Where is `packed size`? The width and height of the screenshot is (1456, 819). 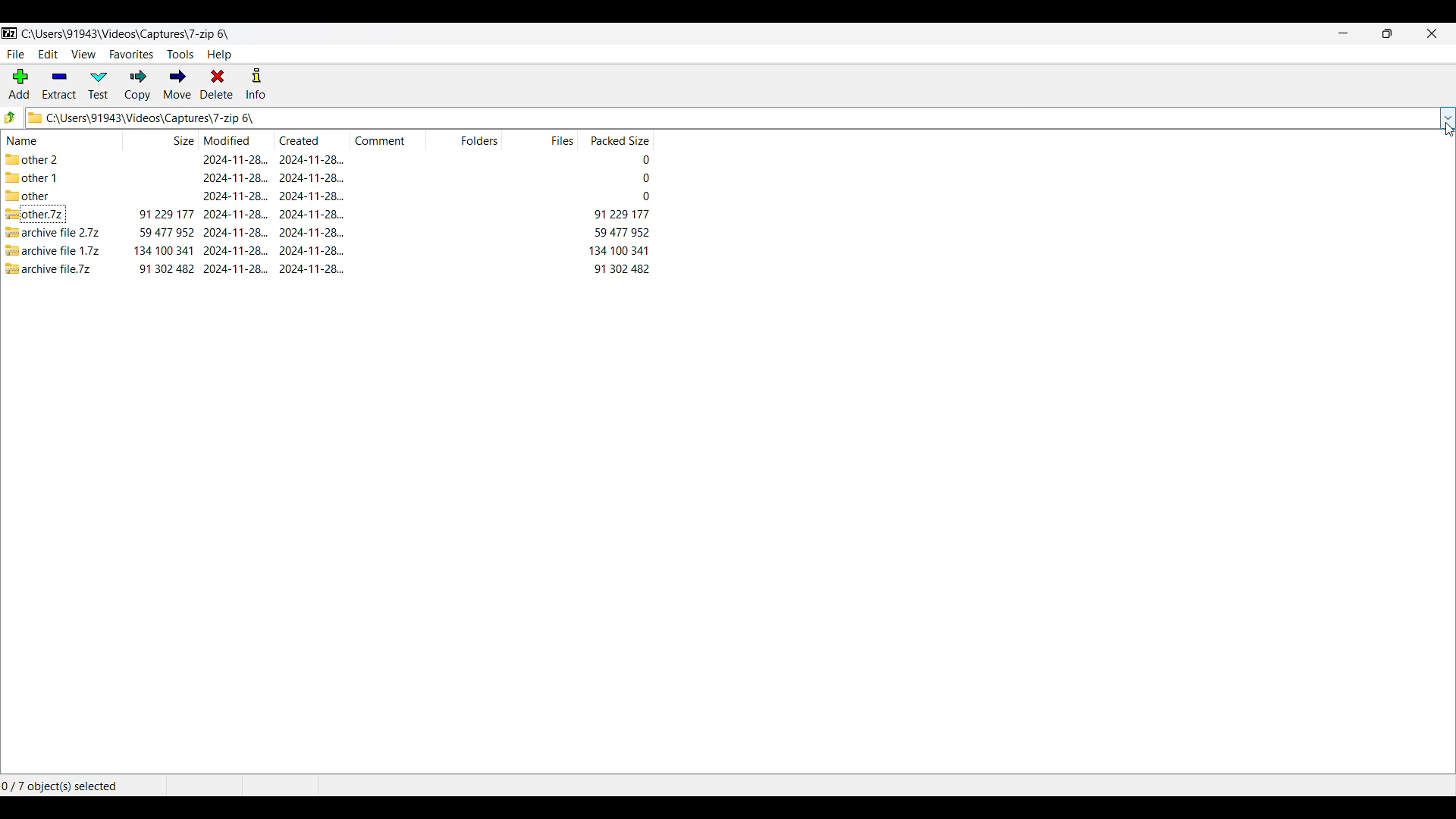 packed size is located at coordinates (645, 196).